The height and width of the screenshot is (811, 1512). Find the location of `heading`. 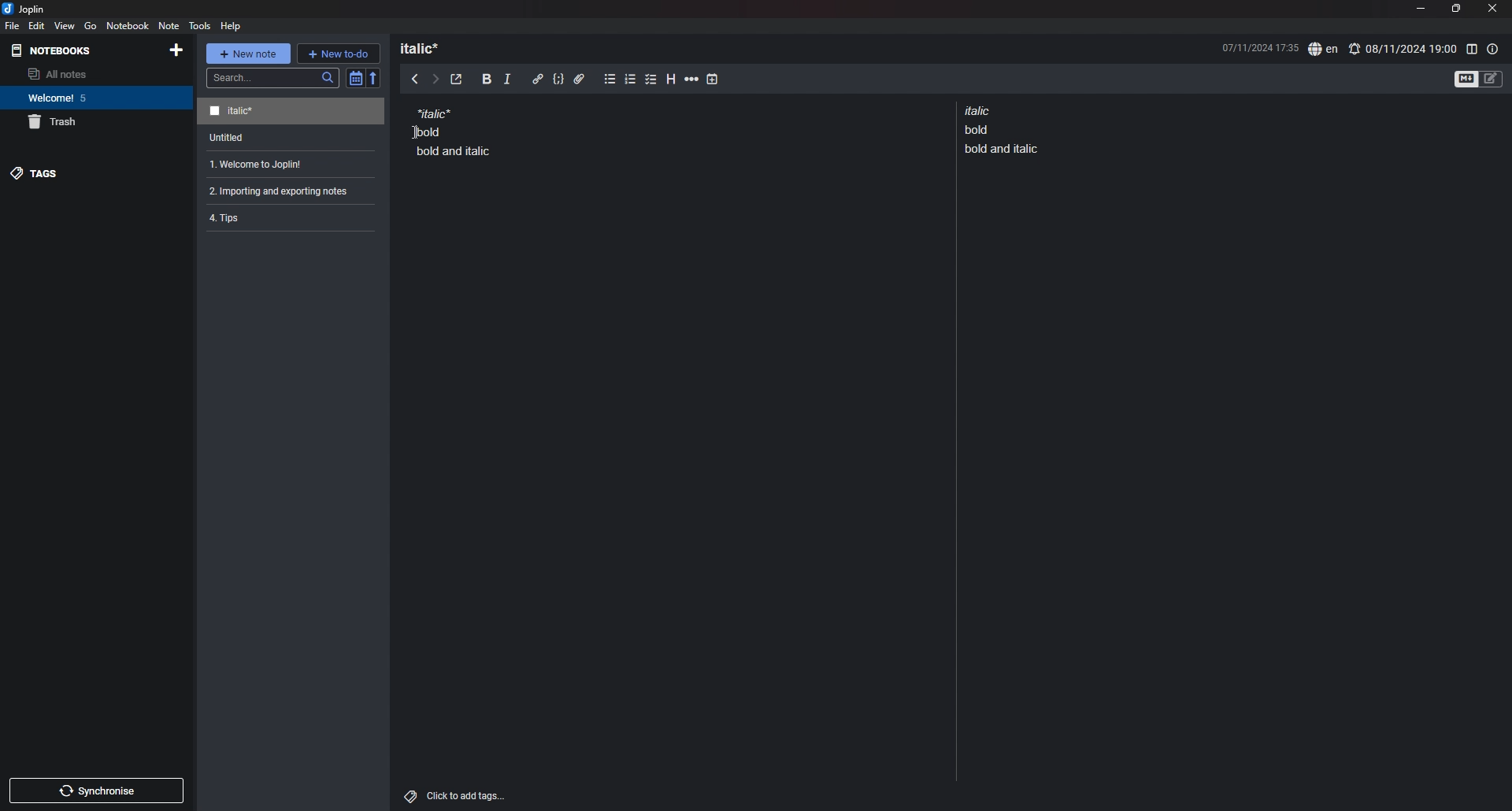

heading is located at coordinates (427, 48).